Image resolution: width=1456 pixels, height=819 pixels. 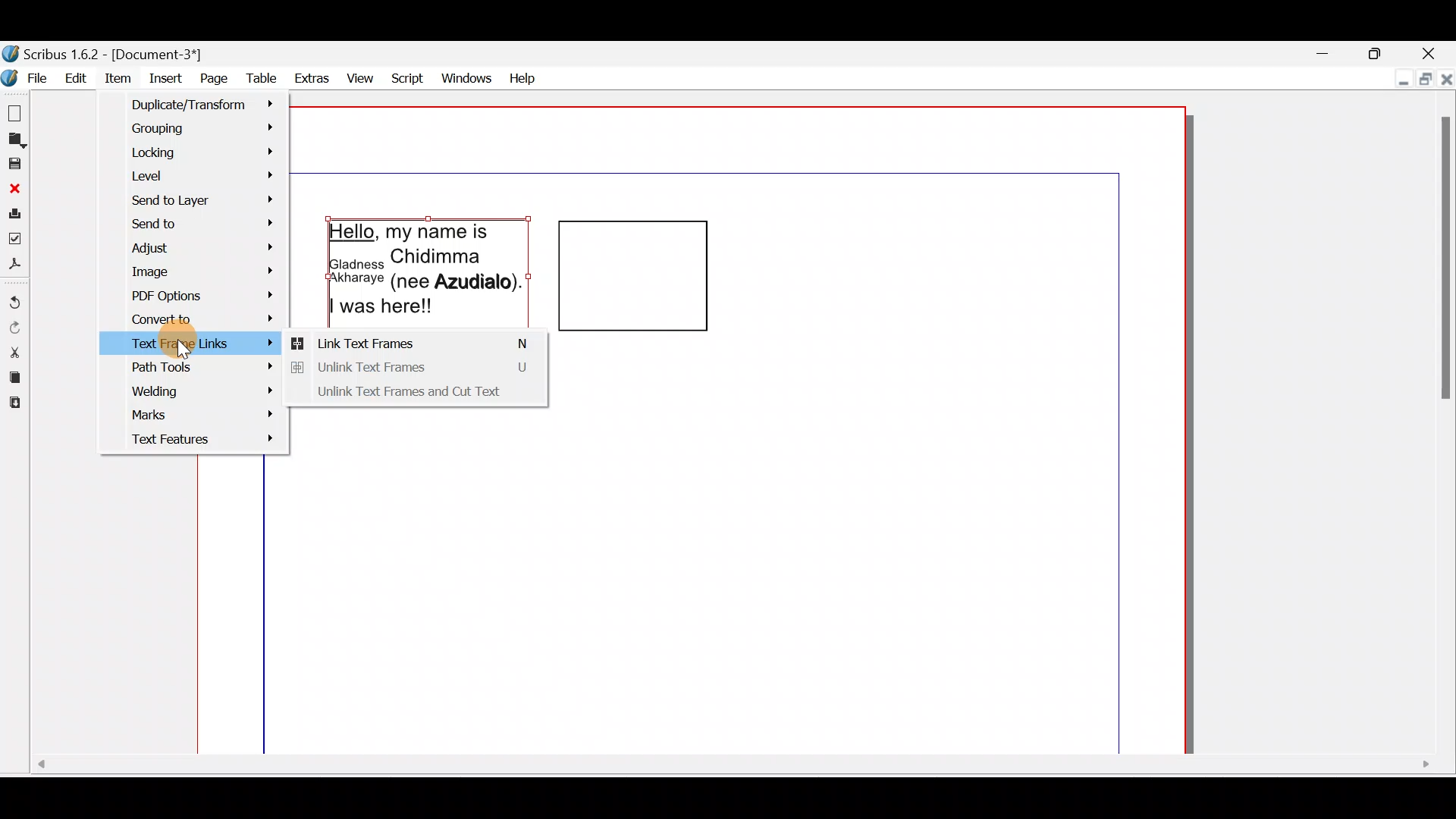 What do you see at coordinates (15, 140) in the screenshot?
I see `Open` at bounding box center [15, 140].